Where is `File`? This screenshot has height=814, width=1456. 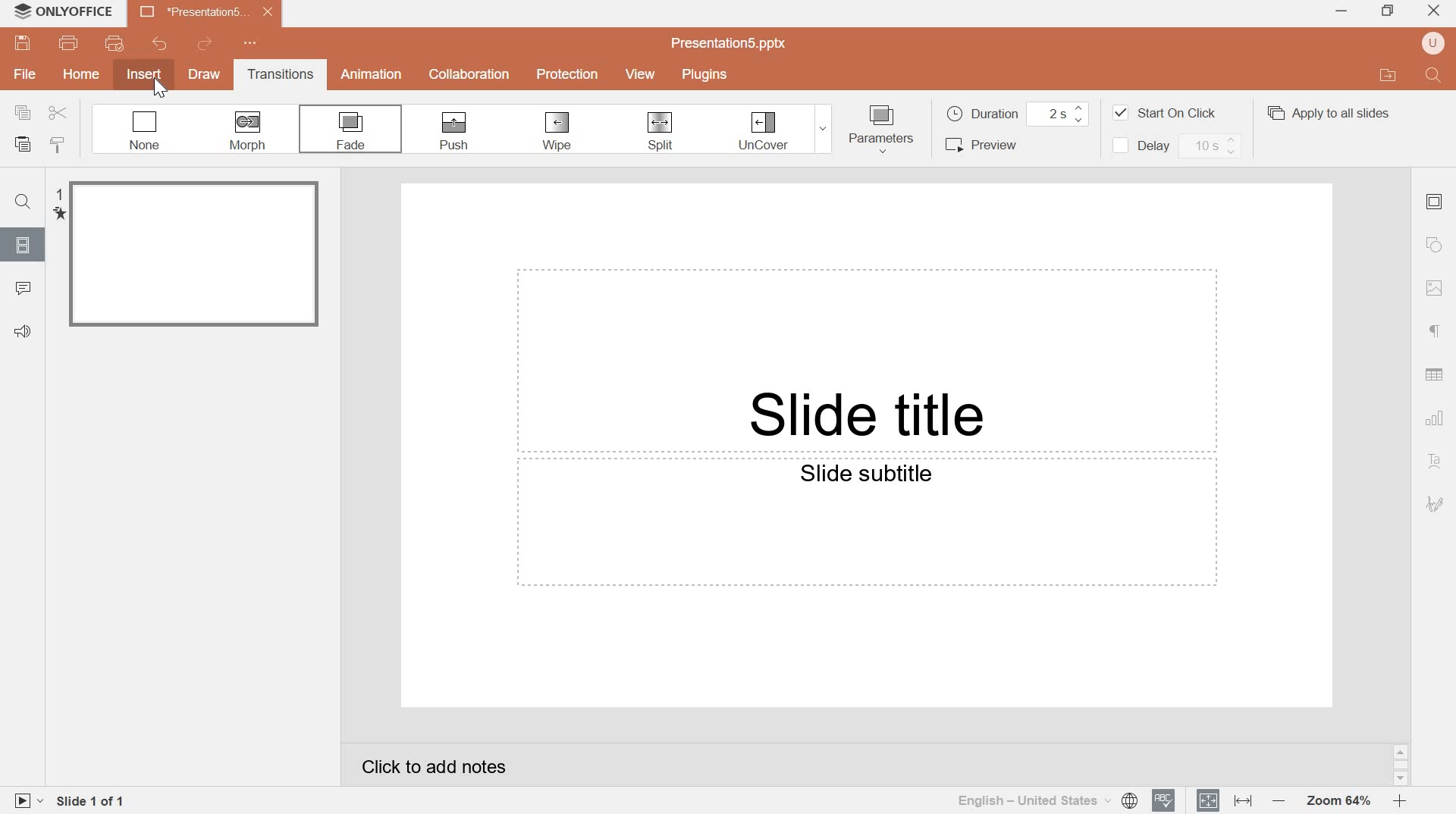 File is located at coordinates (24, 75).